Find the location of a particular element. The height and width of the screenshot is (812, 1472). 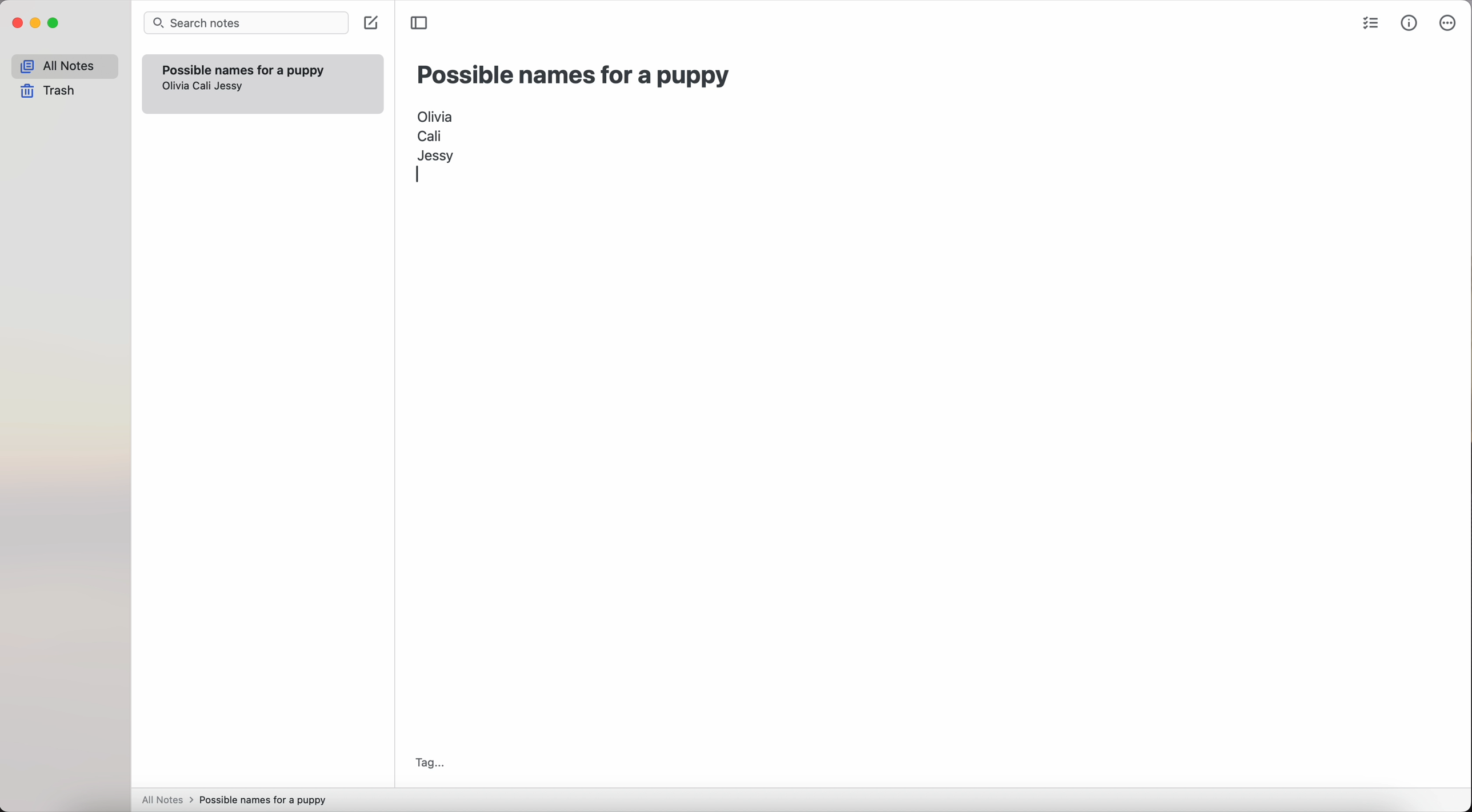

all notes > possible names for a puppy is located at coordinates (238, 799).